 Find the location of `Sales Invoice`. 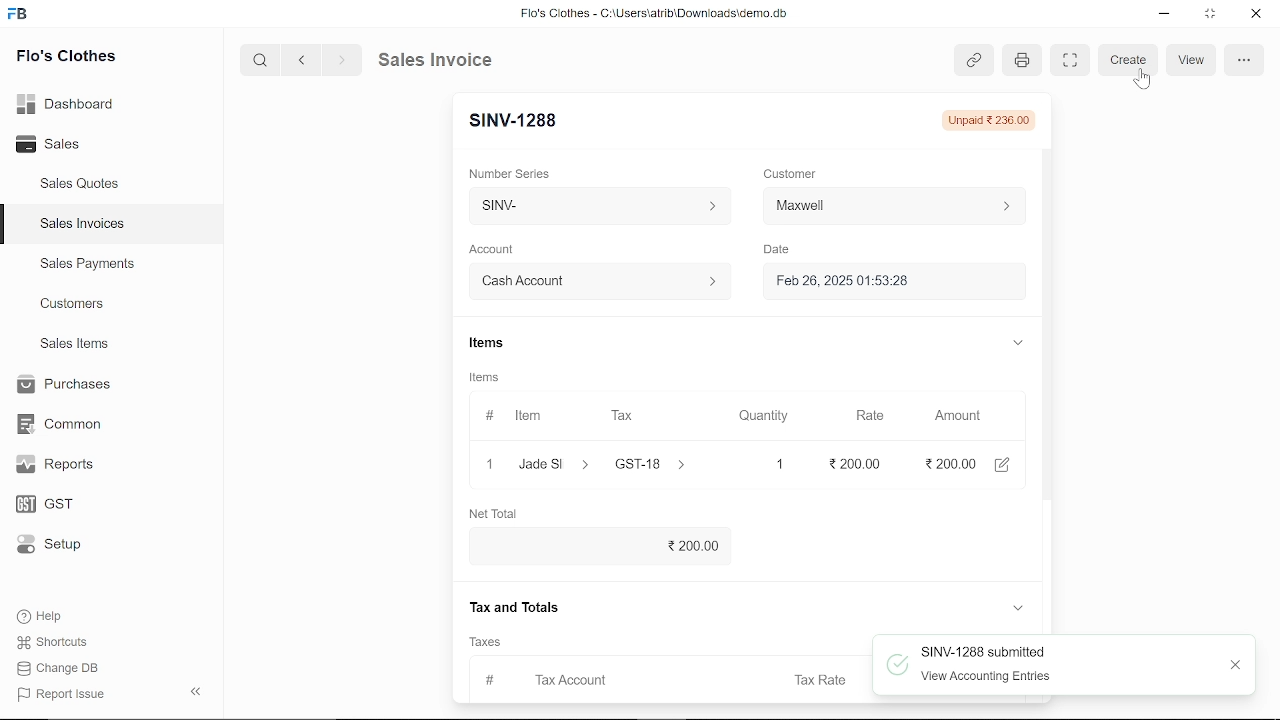

Sales Invoice is located at coordinates (450, 59).